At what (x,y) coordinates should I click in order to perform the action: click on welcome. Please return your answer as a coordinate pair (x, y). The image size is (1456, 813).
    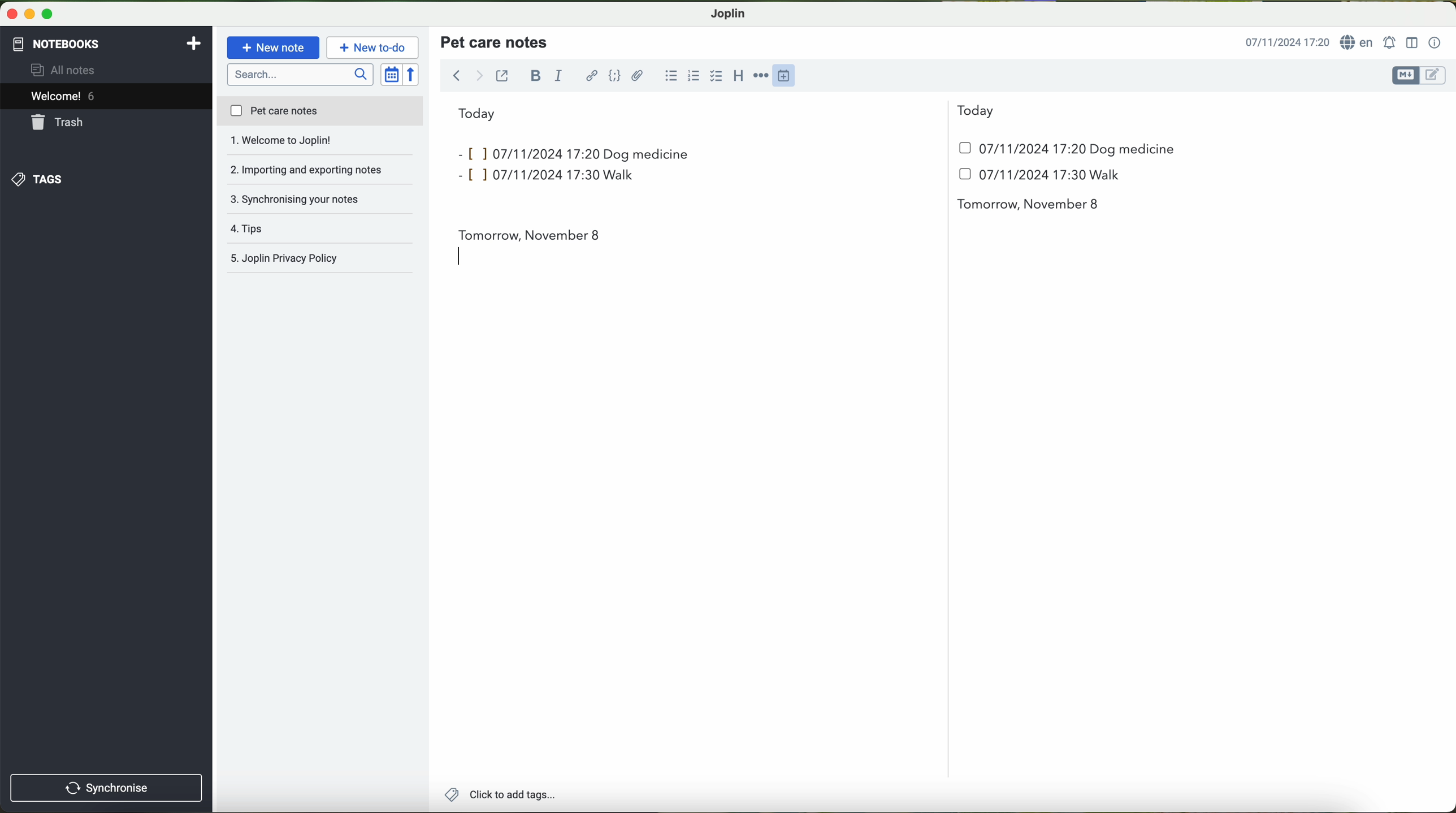
    Looking at the image, I should click on (106, 98).